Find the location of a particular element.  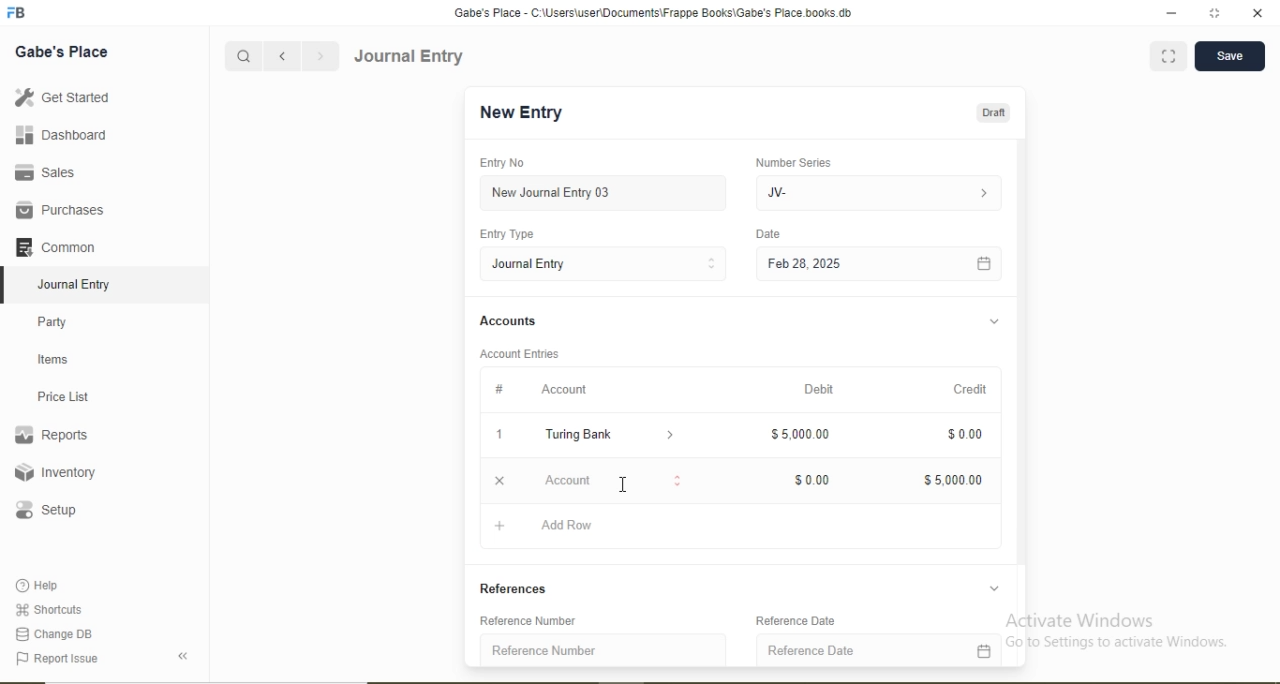

Setup is located at coordinates (45, 510).